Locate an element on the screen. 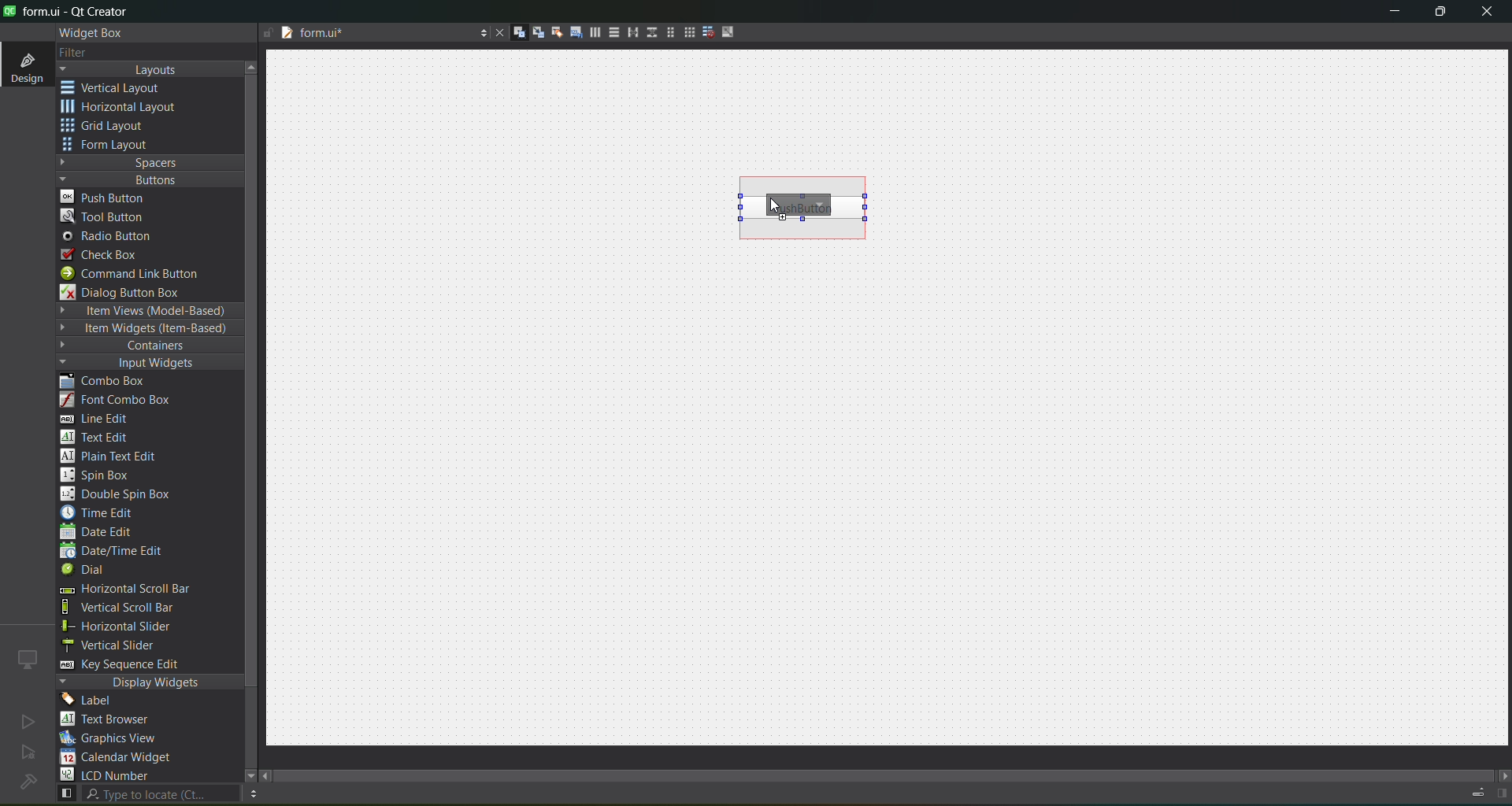  maximize is located at coordinates (1441, 14).